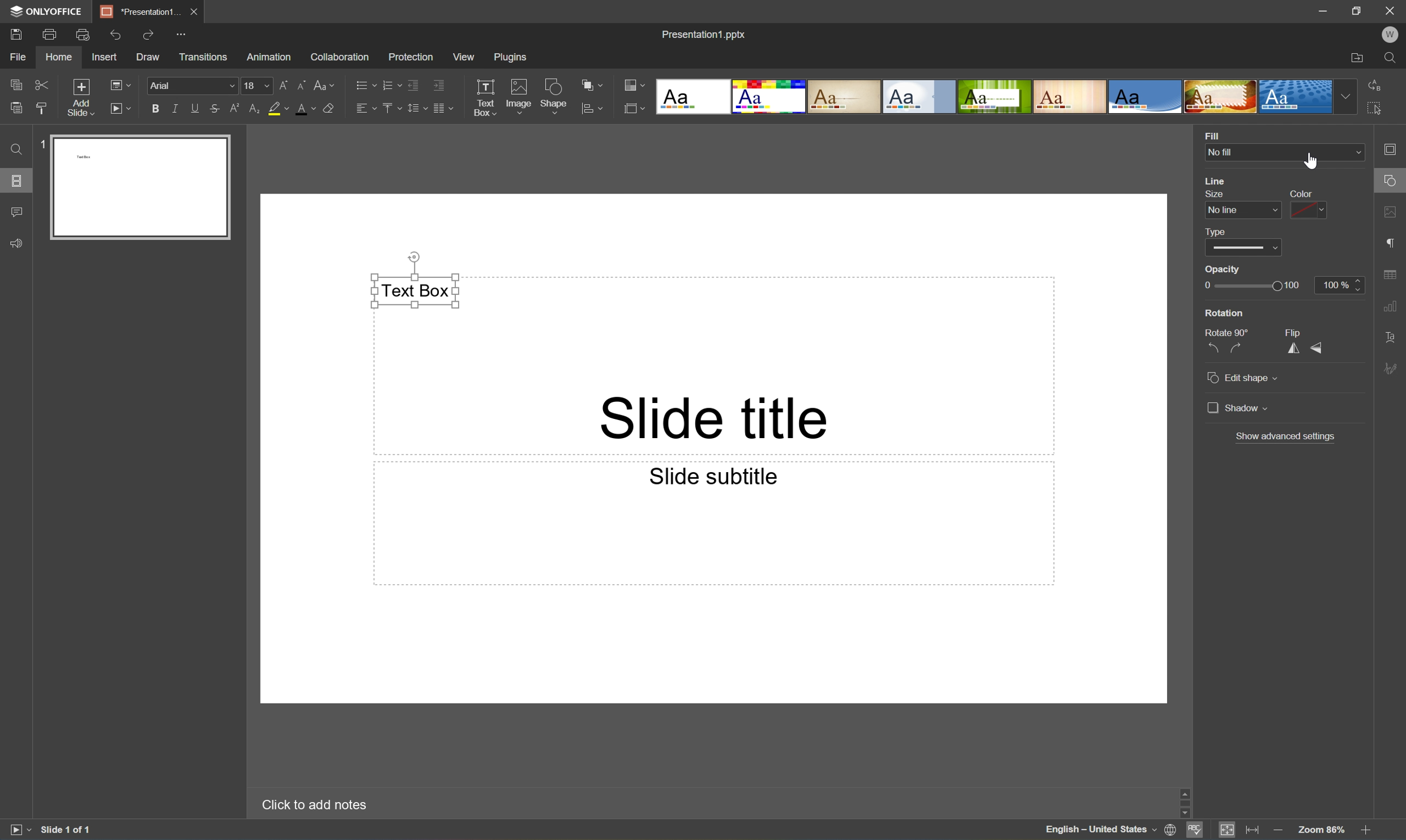  What do you see at coordinates (1242, 376) in the screenshot?
I see `Edit Shape` at bounding box center [1242, 376].